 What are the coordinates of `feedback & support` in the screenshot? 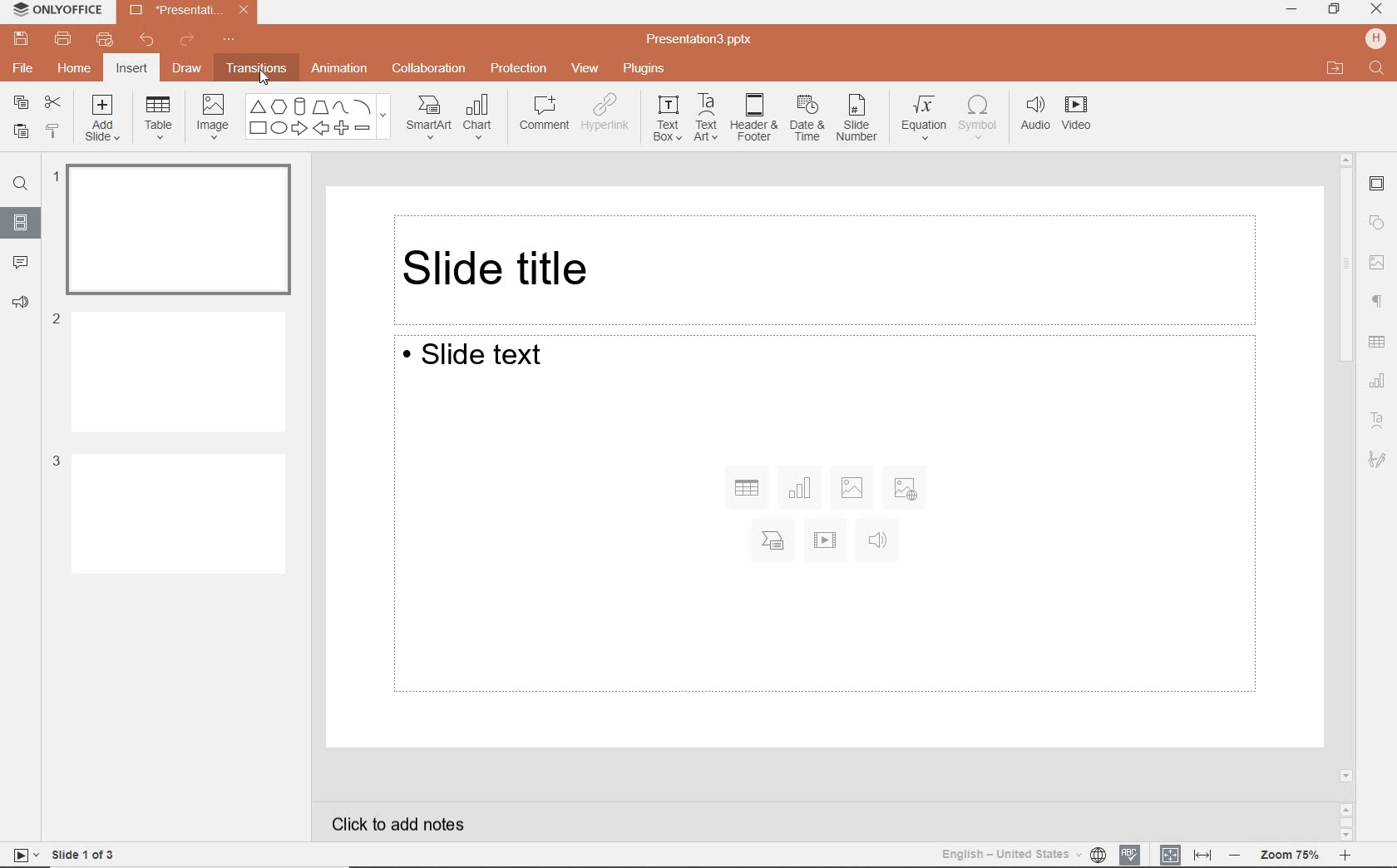 It's located at (23, 306).